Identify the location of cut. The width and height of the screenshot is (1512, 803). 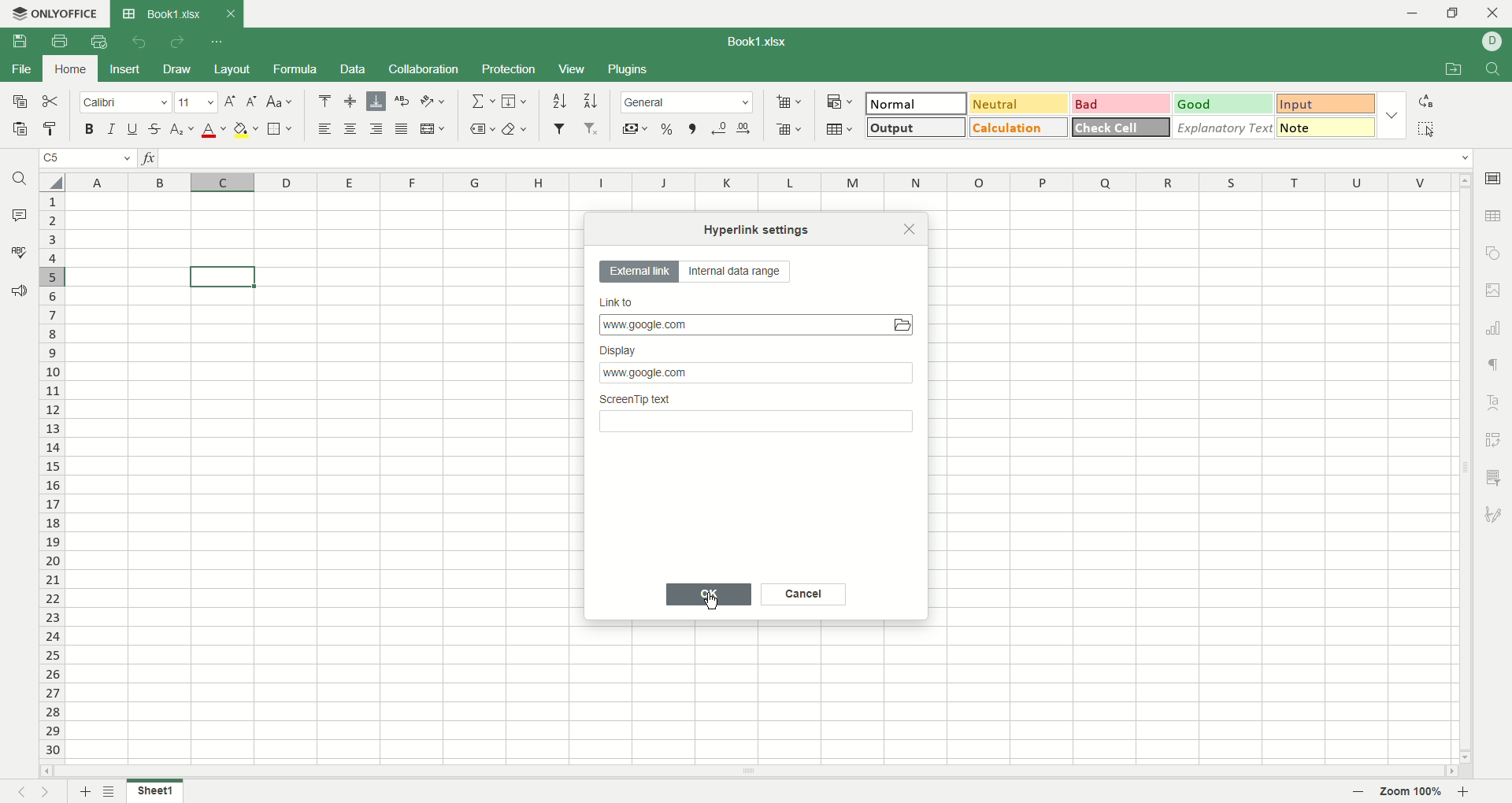
(54, 102).